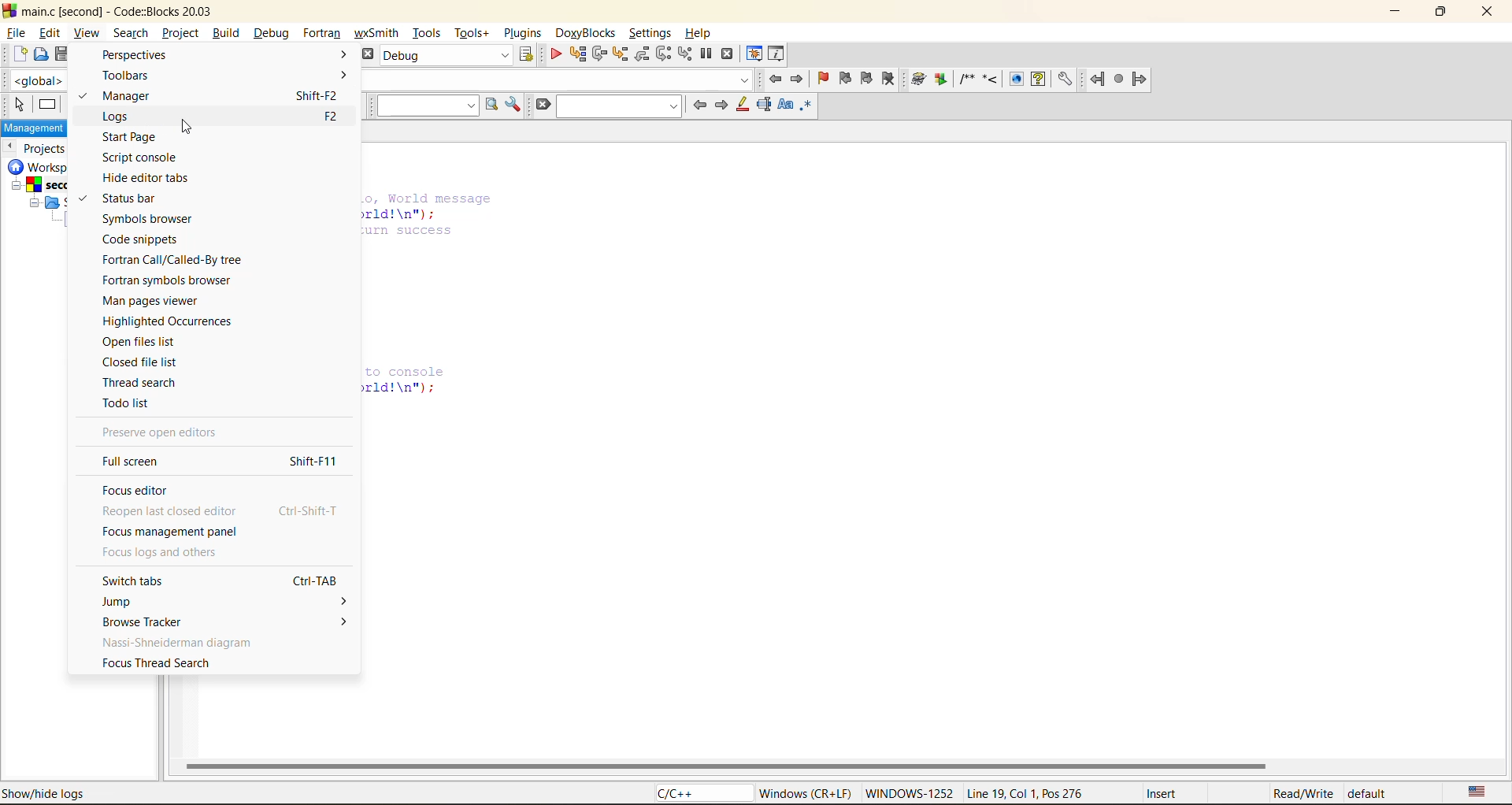  I want to click on closed file list, so click(143, 363).